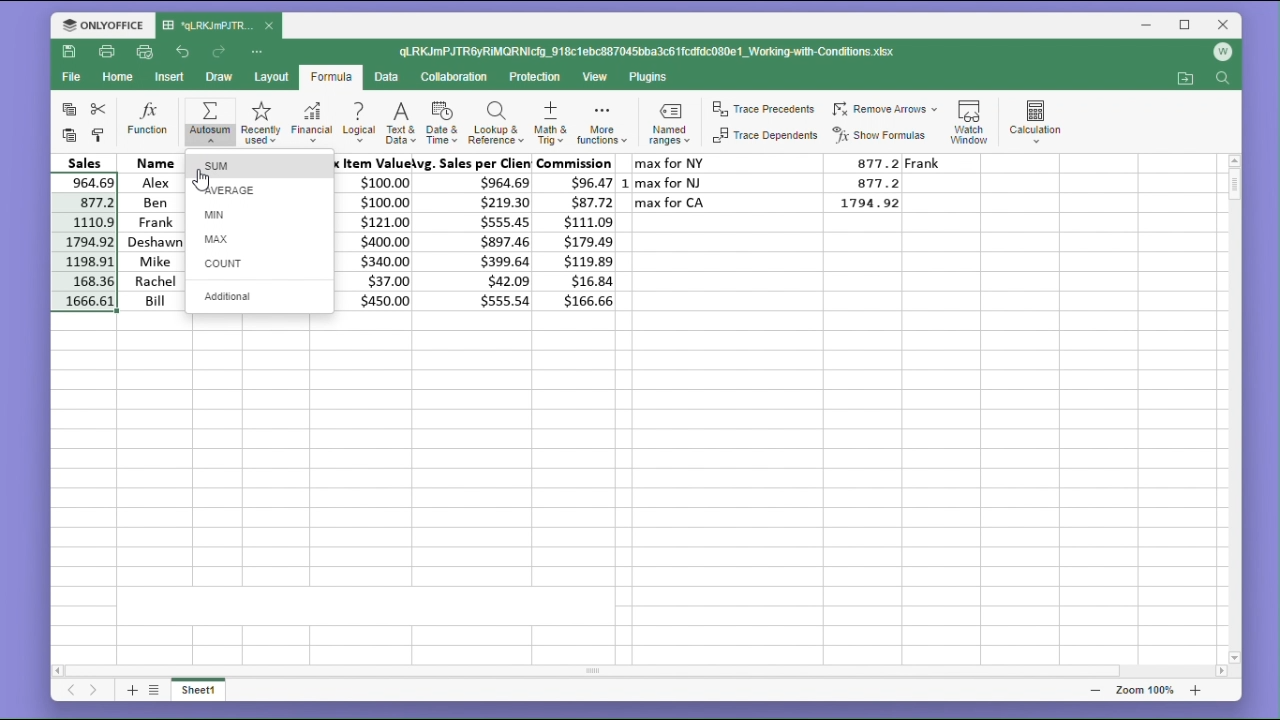 The image size is (1280, 720). What do you see at coordinates (146, 53) in the screenshot?
I see `quick print` at bounding box center [146, 53].